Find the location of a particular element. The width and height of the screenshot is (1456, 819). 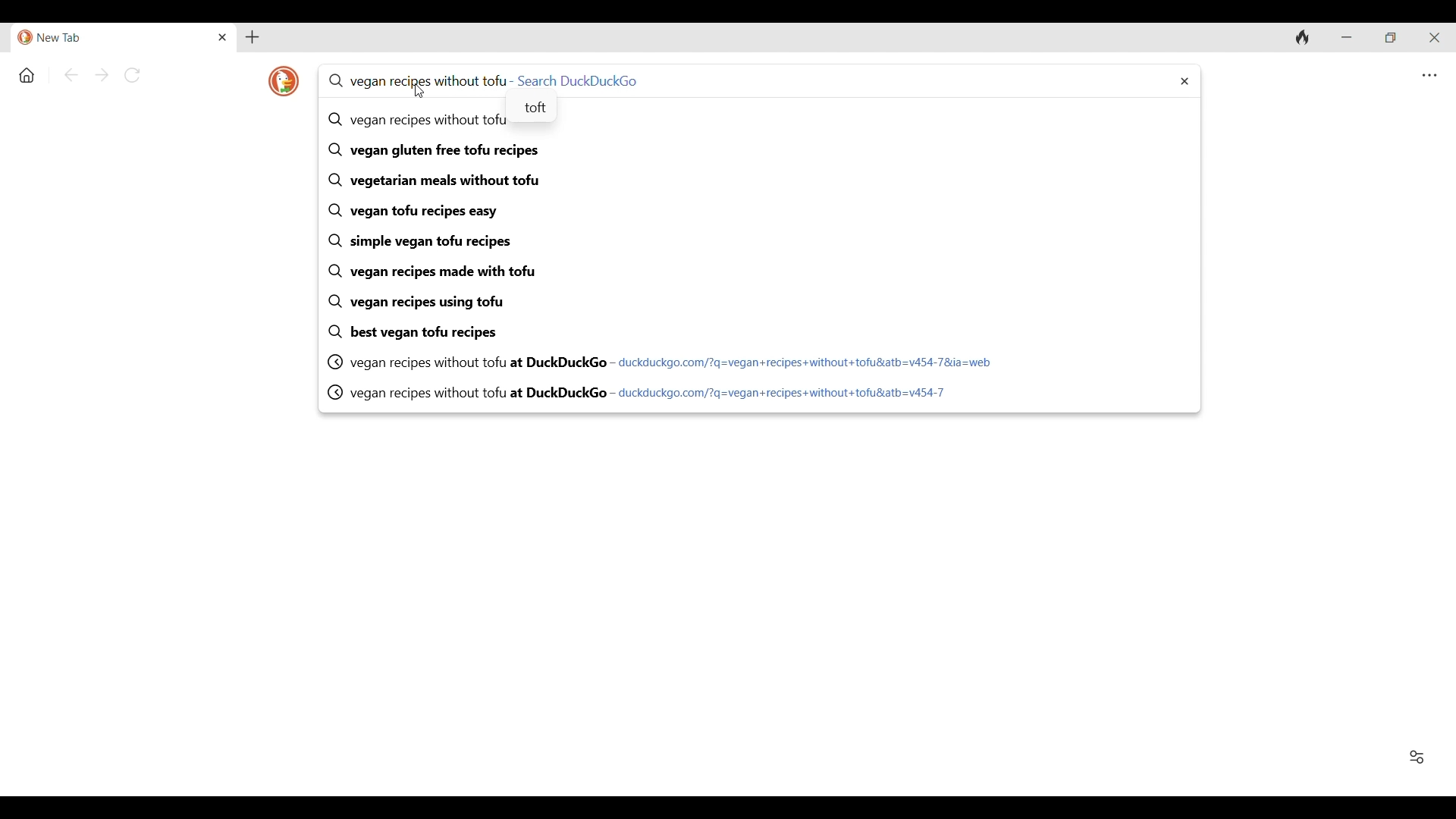

vegan recipes without tofu at DuckDuckGo - duckduckgo.com/?q=vegan+recipes+without+tofulatb=v454-78&ia=web is located at coordinates (759, 362).